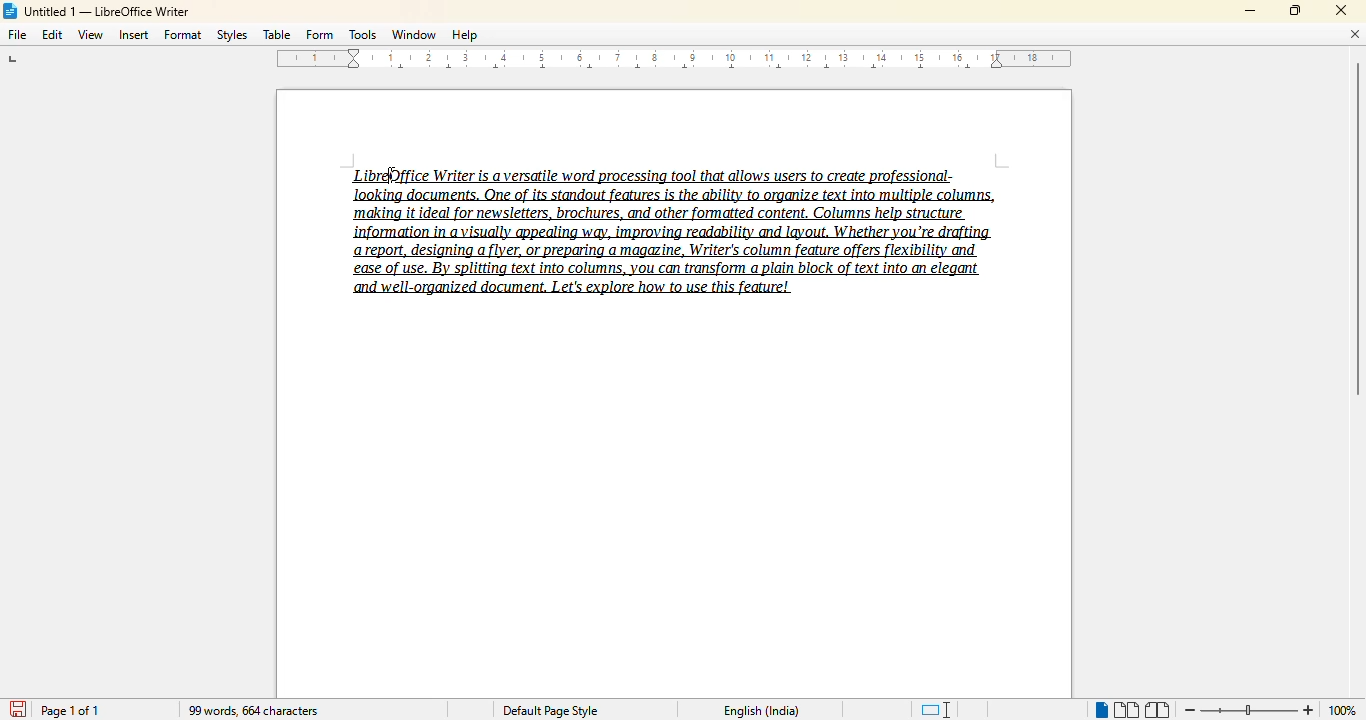  What do you see at coordinates (1125, 709) in the screenshot?
I see `multi-page view` at bounding box center [1125, 709].